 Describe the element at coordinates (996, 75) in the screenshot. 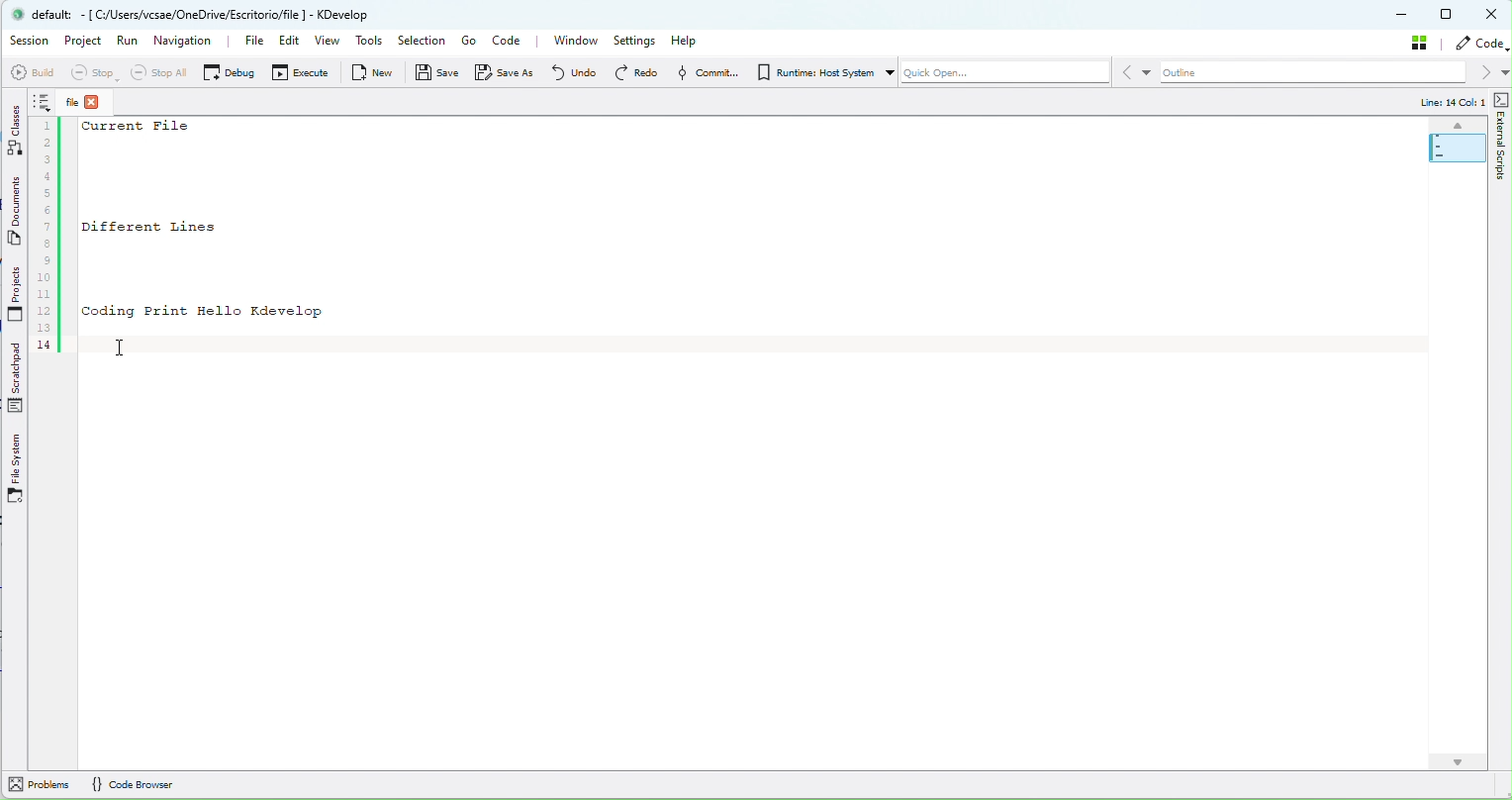

I see `Quick Open` at that location.